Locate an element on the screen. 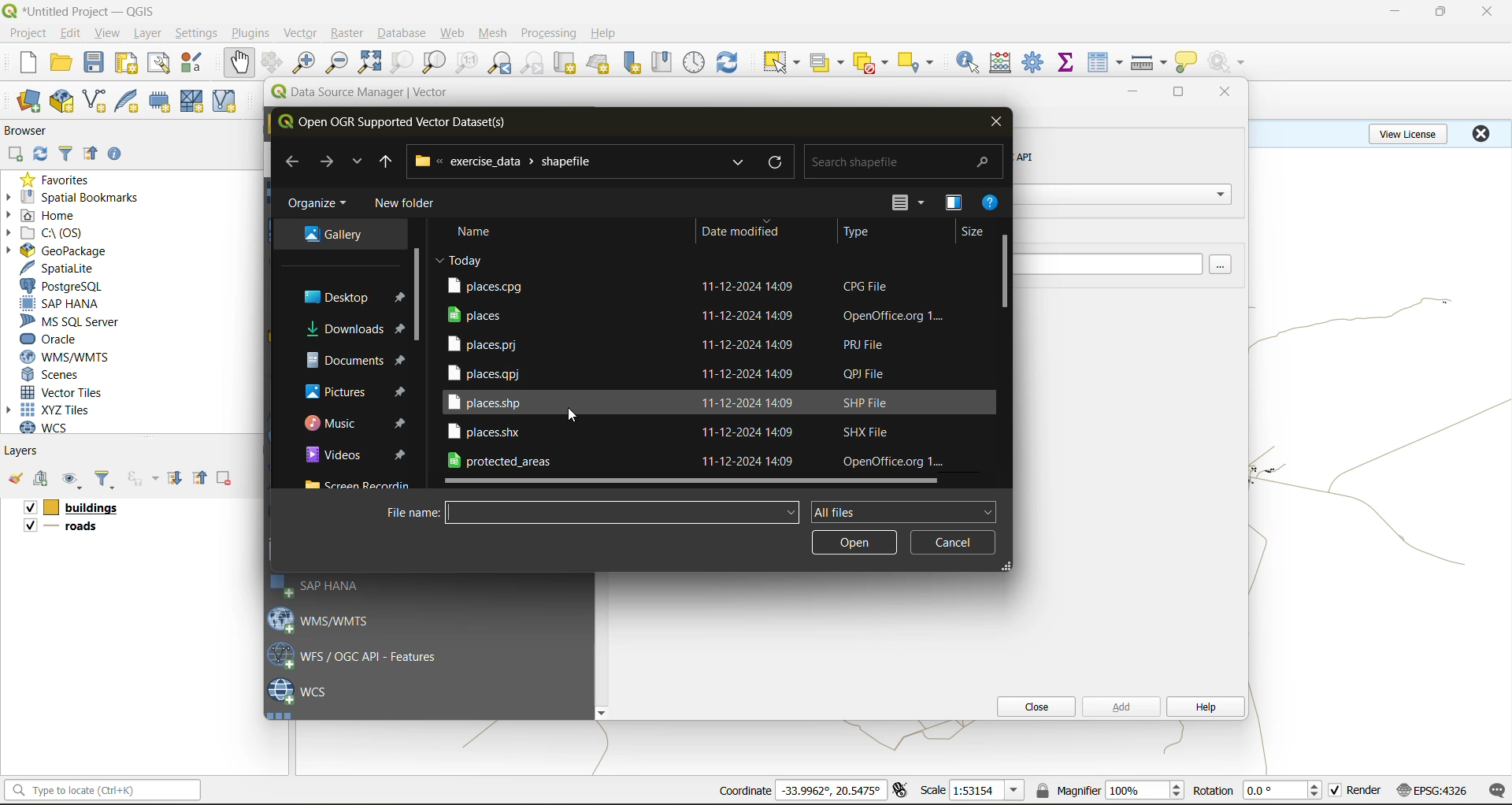  new geopackage layer is located at coordinates (62, 102).